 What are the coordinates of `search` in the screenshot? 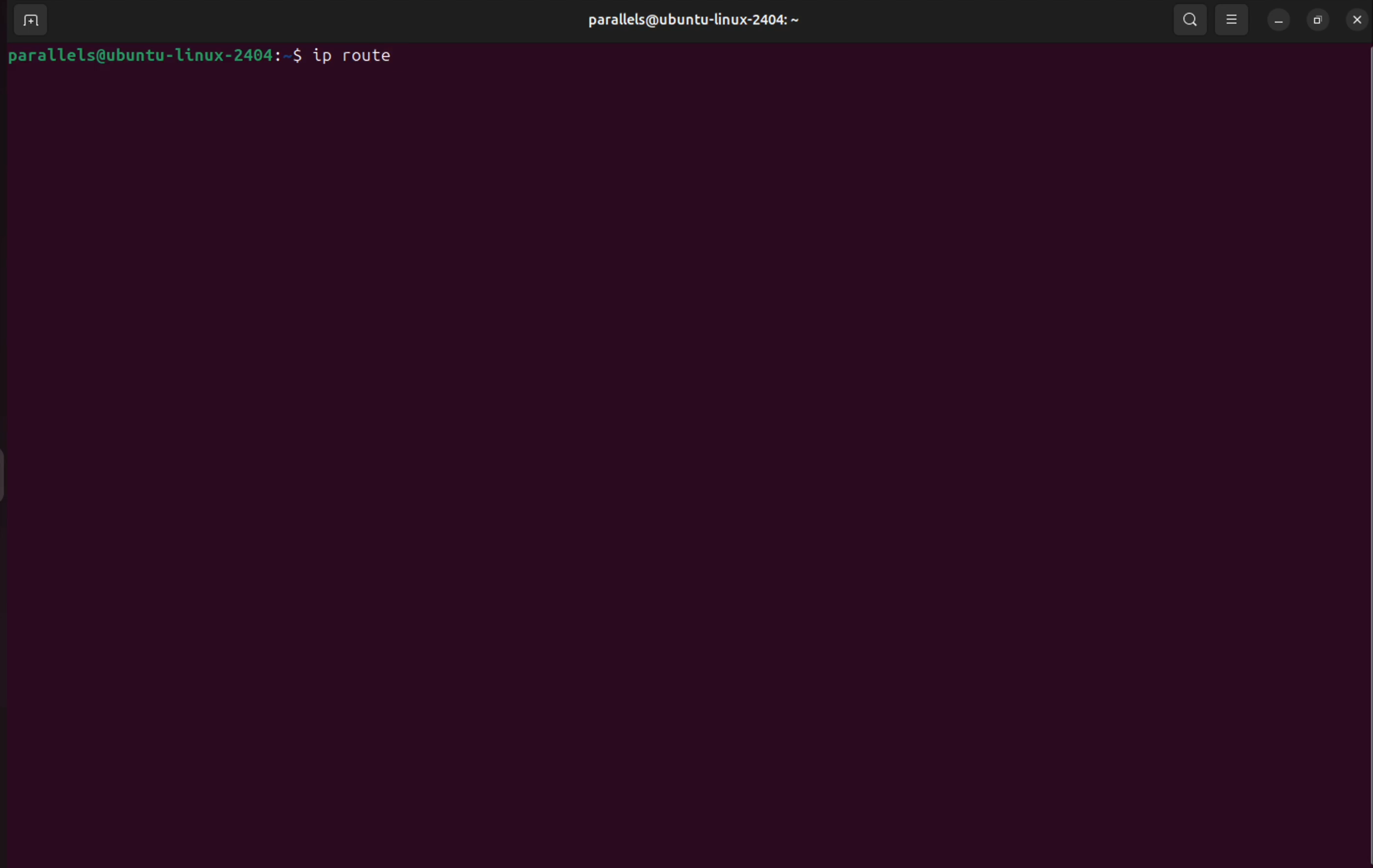 It's located at (1188, 23).